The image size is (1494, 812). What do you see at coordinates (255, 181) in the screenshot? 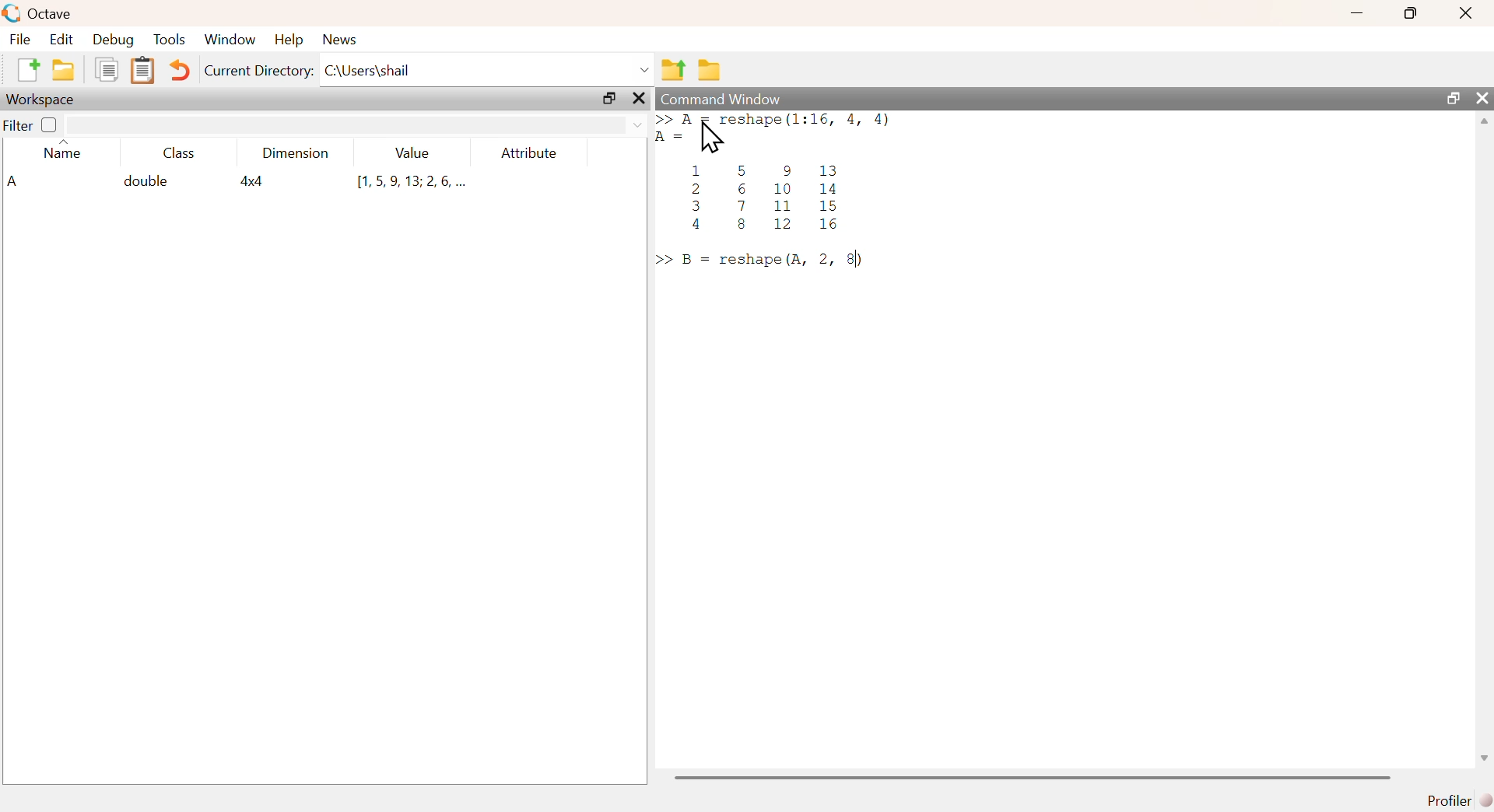
I see `4x4` at bounding box center [255, 181].